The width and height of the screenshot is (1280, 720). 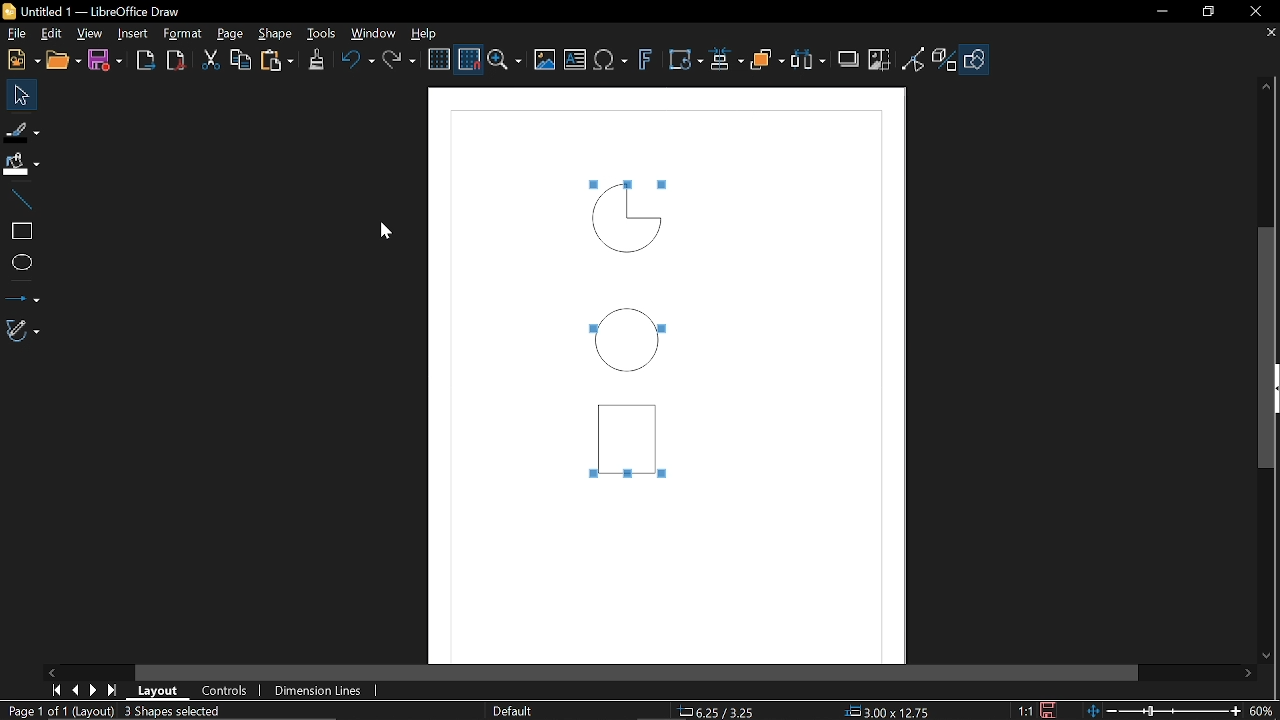 What do you see at coordinates (1250, 675) in the screenshot?
I see `Move right` at bounding box center [1250, 675].